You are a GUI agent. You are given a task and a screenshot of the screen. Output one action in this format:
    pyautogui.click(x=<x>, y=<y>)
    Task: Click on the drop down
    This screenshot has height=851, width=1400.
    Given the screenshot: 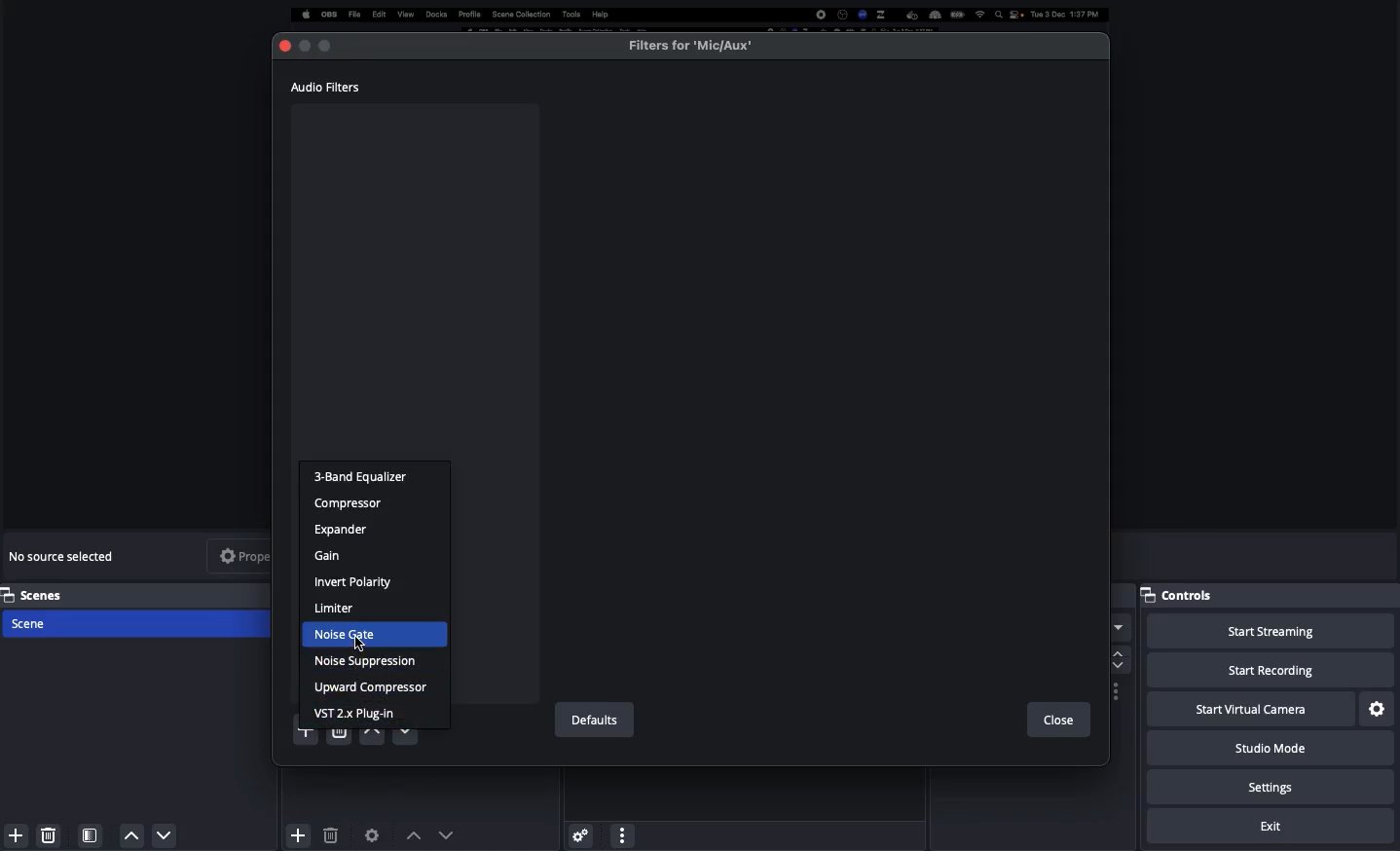 What is the action you would take?
    pyautogui.click(x=1119, y=630)
    